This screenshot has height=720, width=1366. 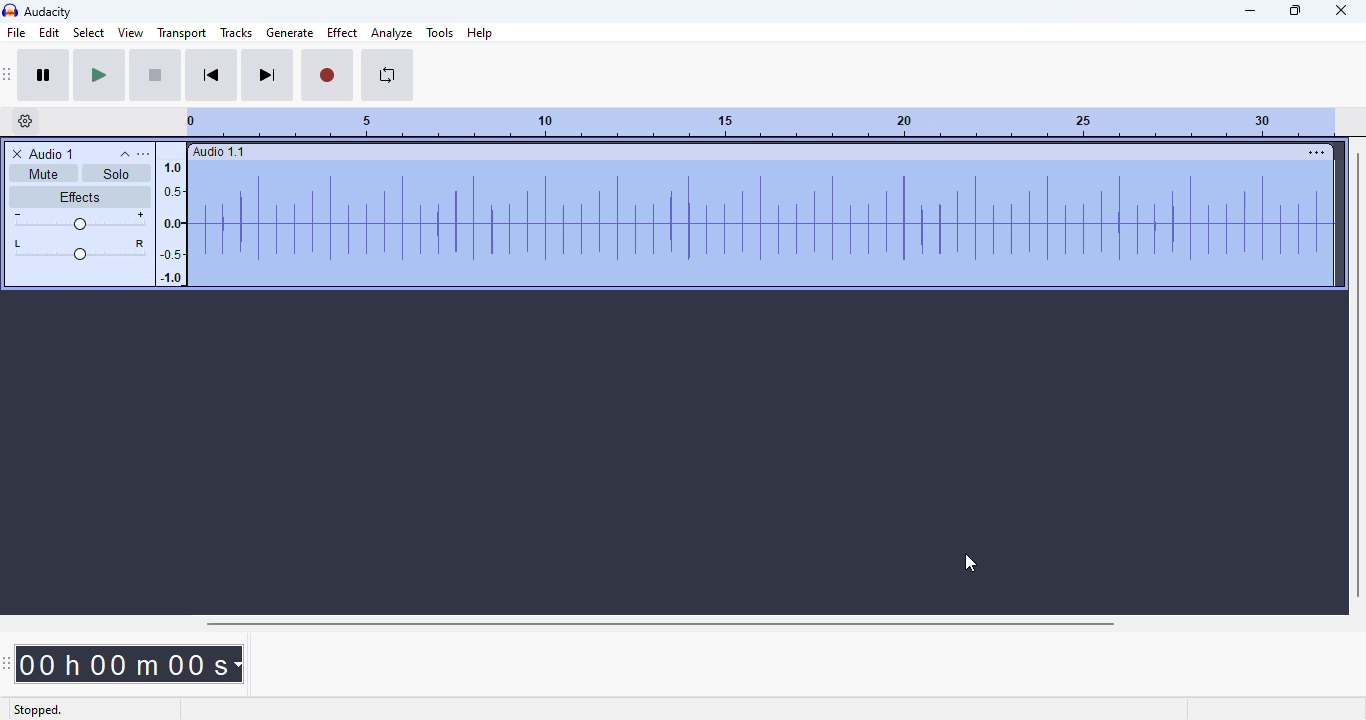 I want to click on logo, so click(x=10, y=10).